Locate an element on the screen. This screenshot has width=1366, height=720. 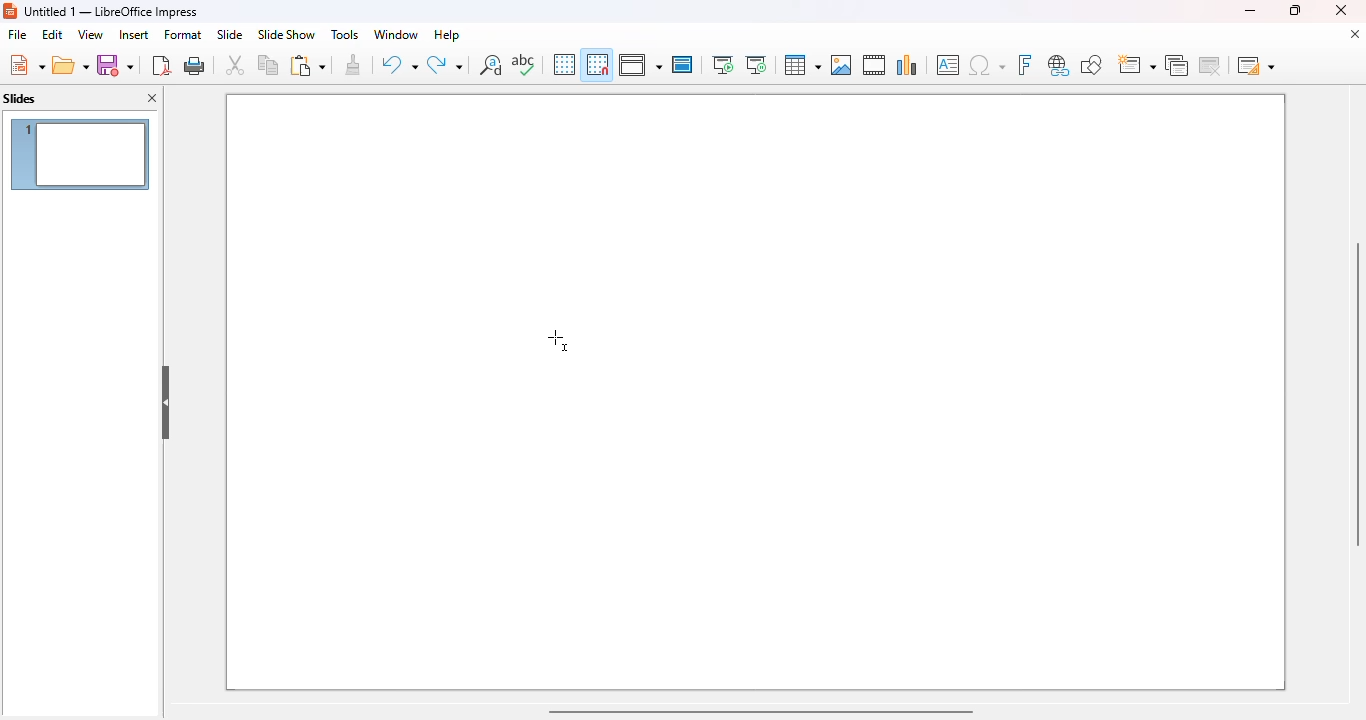
spelling is located at coordinates (523, 64).